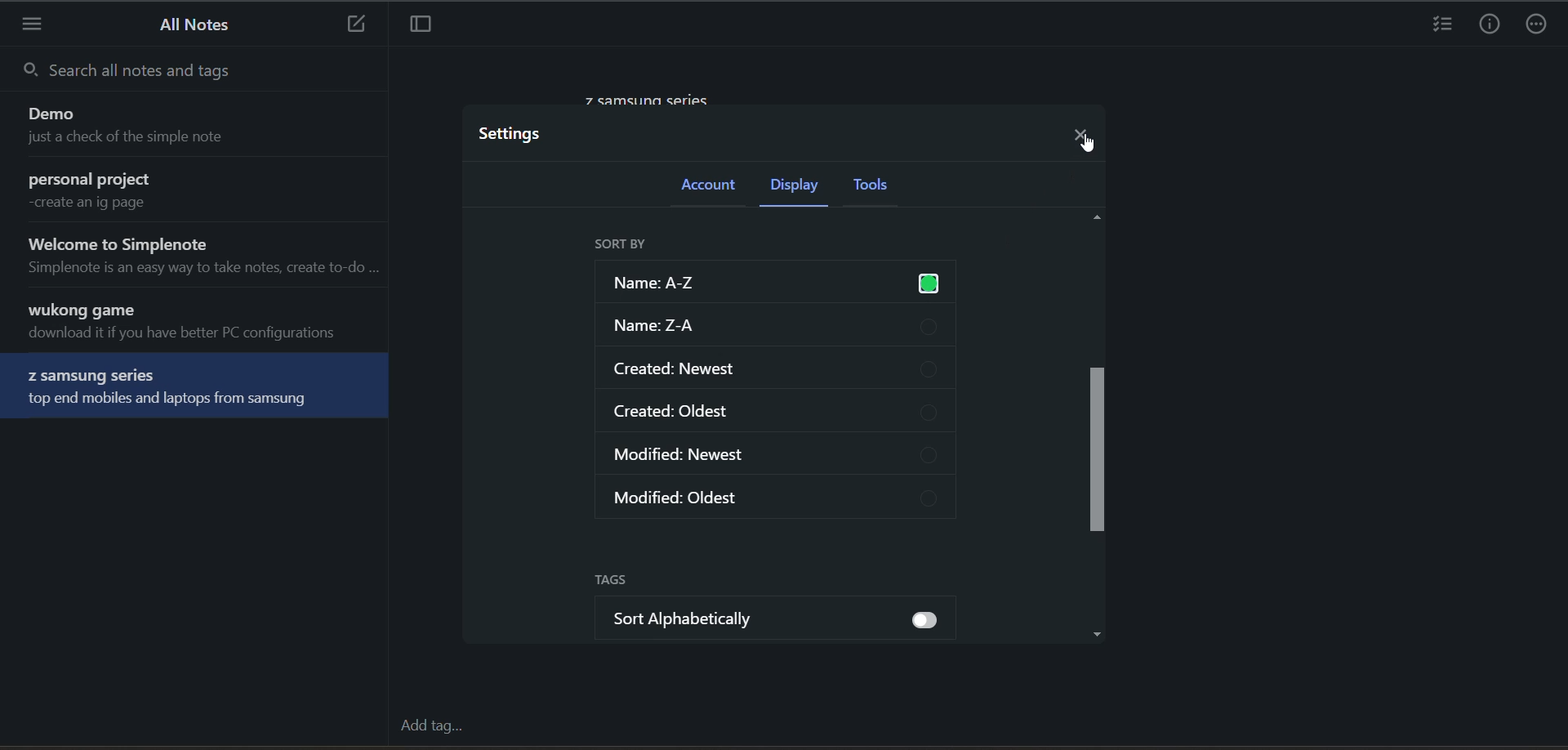 Image resolution: width=1568 pixels, height=750 pixels. What do you see at coordinates (1089, 142) in the screenshot?
I see `cursor` at bounding box center [1089, 142].